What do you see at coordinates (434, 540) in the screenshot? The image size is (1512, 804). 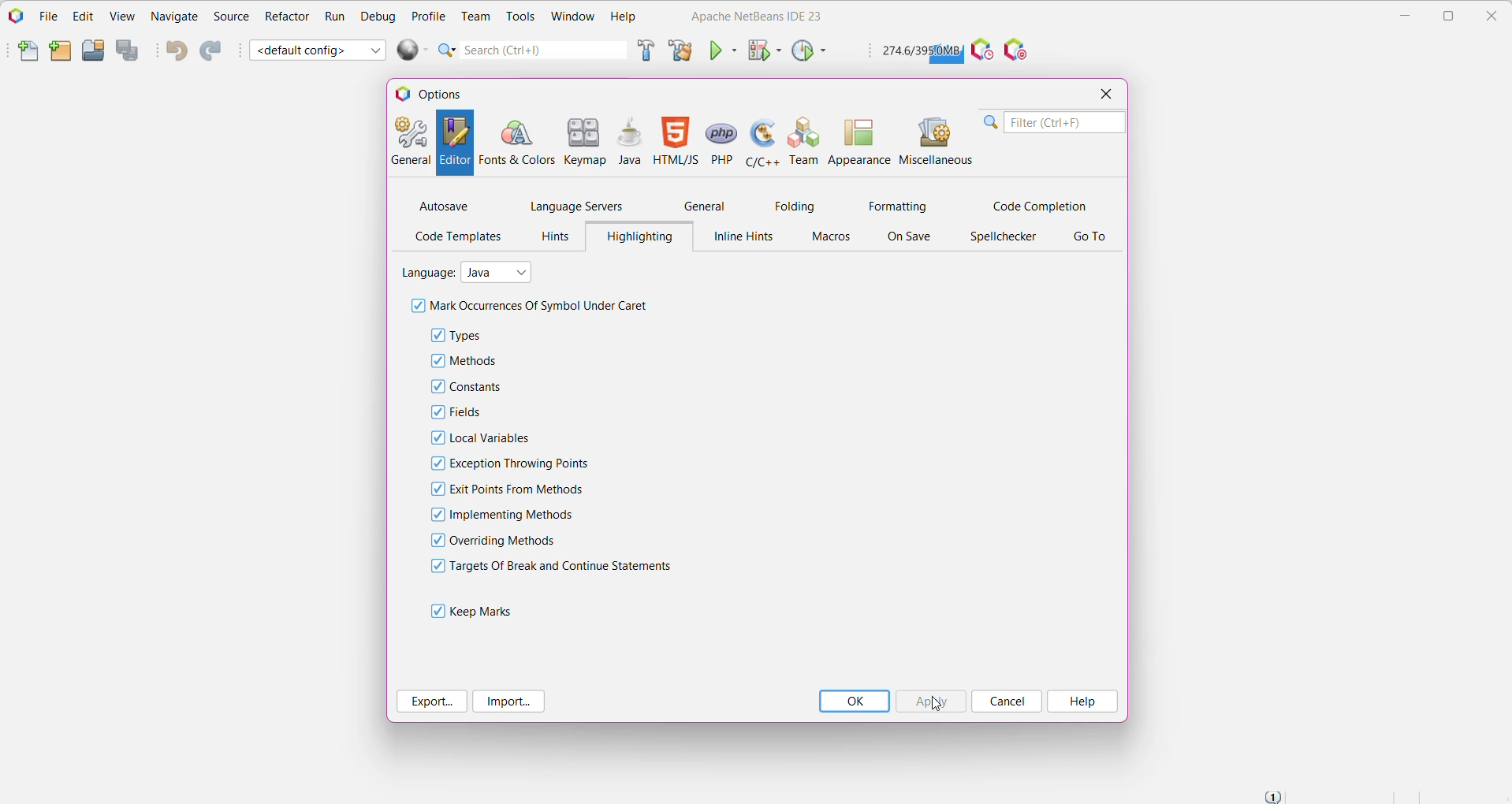 I see `checkbox` at bounding box center [434, 540].